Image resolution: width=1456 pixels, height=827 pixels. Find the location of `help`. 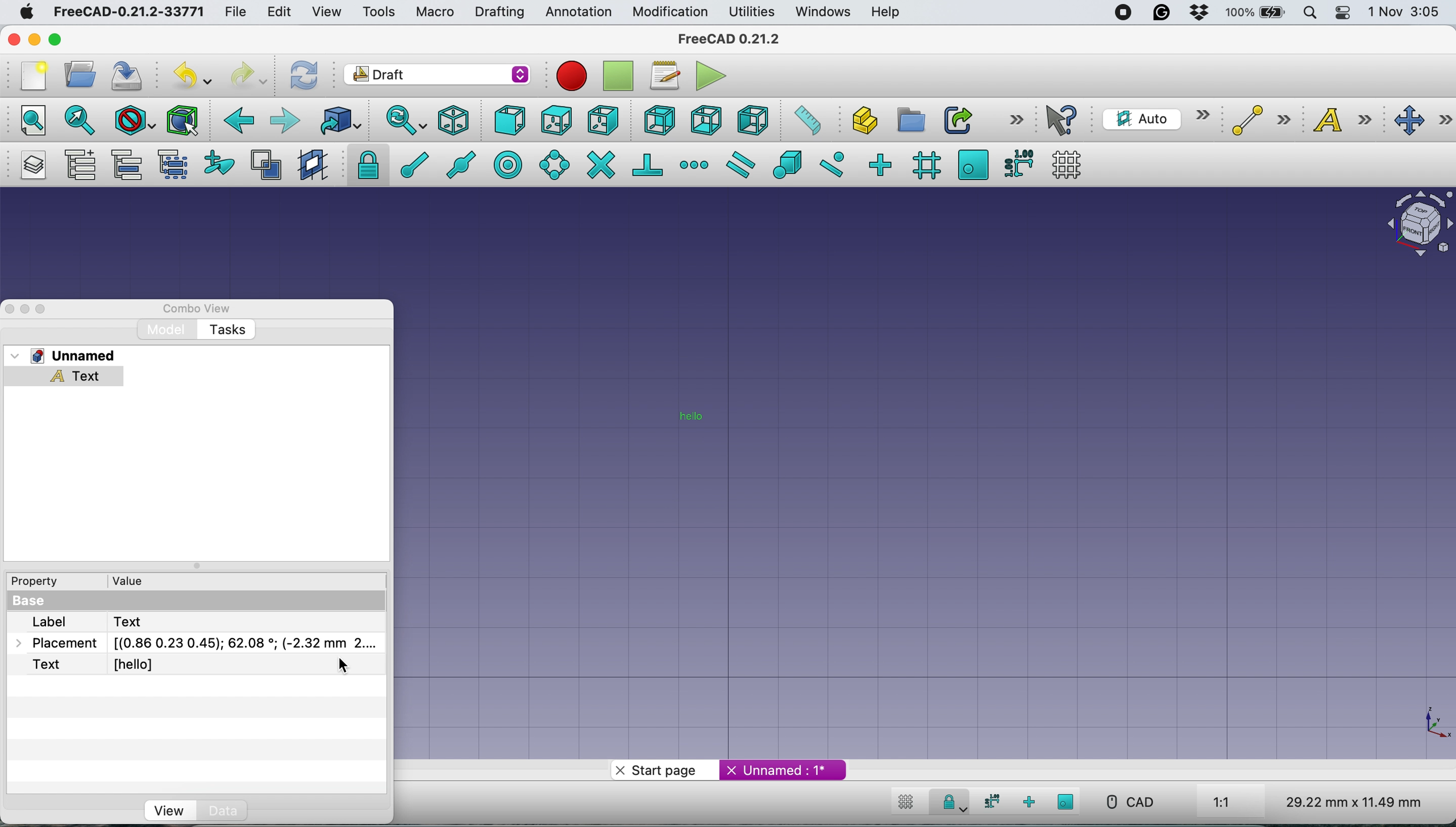

help is located at coordinates (884, 14).